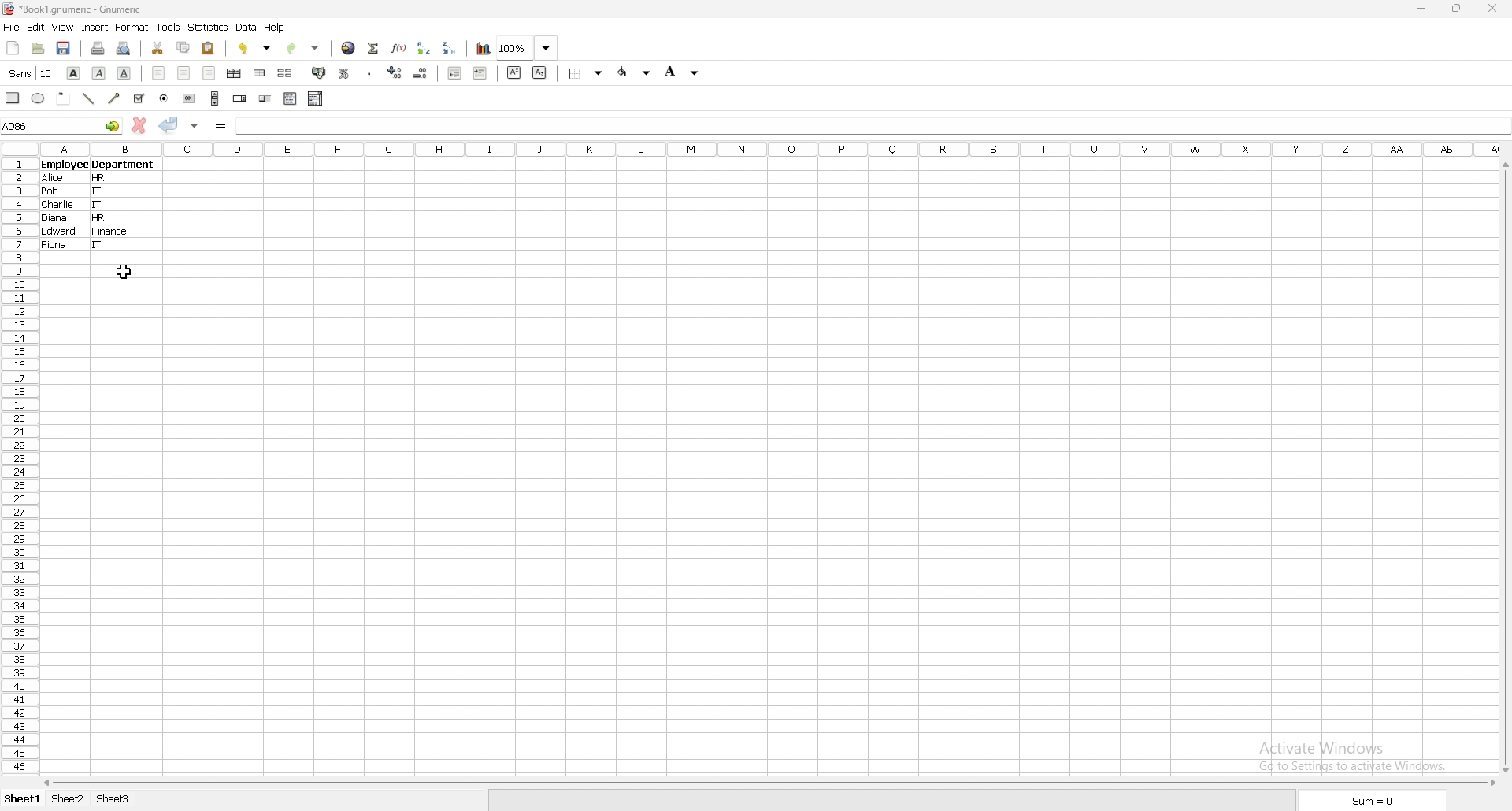  I want to click on bold, so click(73, 72).